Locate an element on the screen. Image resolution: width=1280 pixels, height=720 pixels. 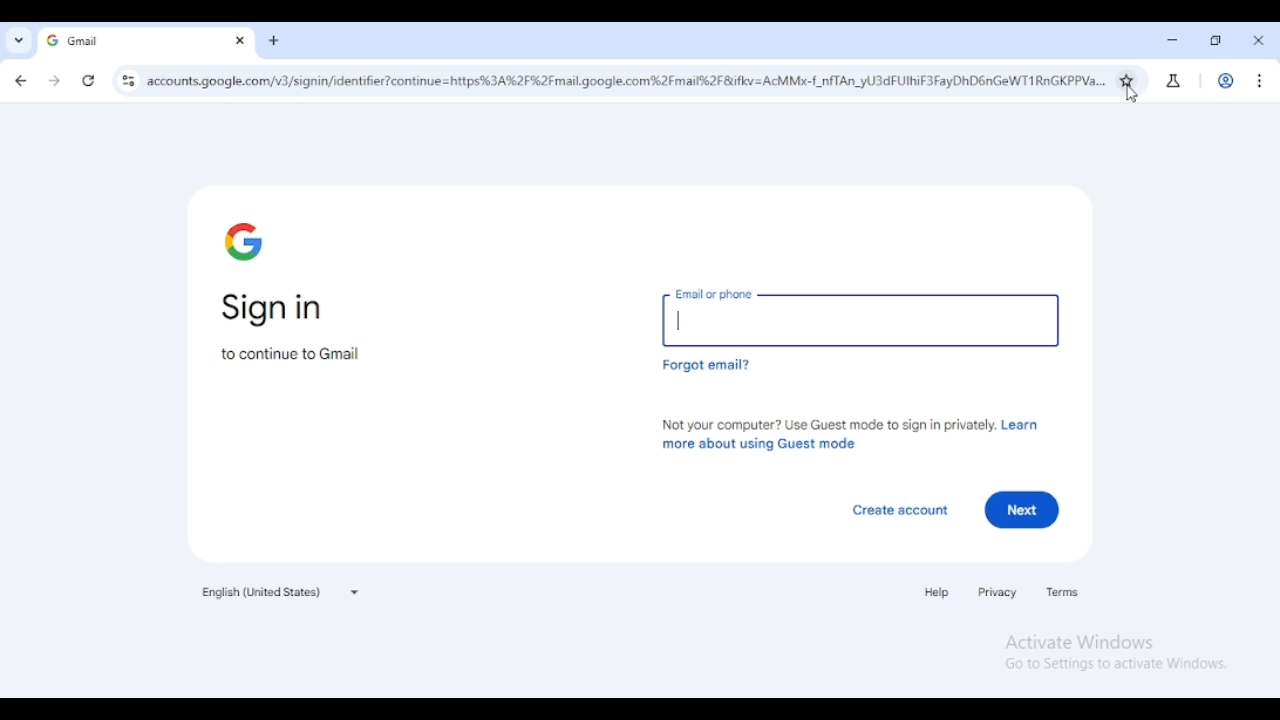
help is located at coordinates (937, 592).